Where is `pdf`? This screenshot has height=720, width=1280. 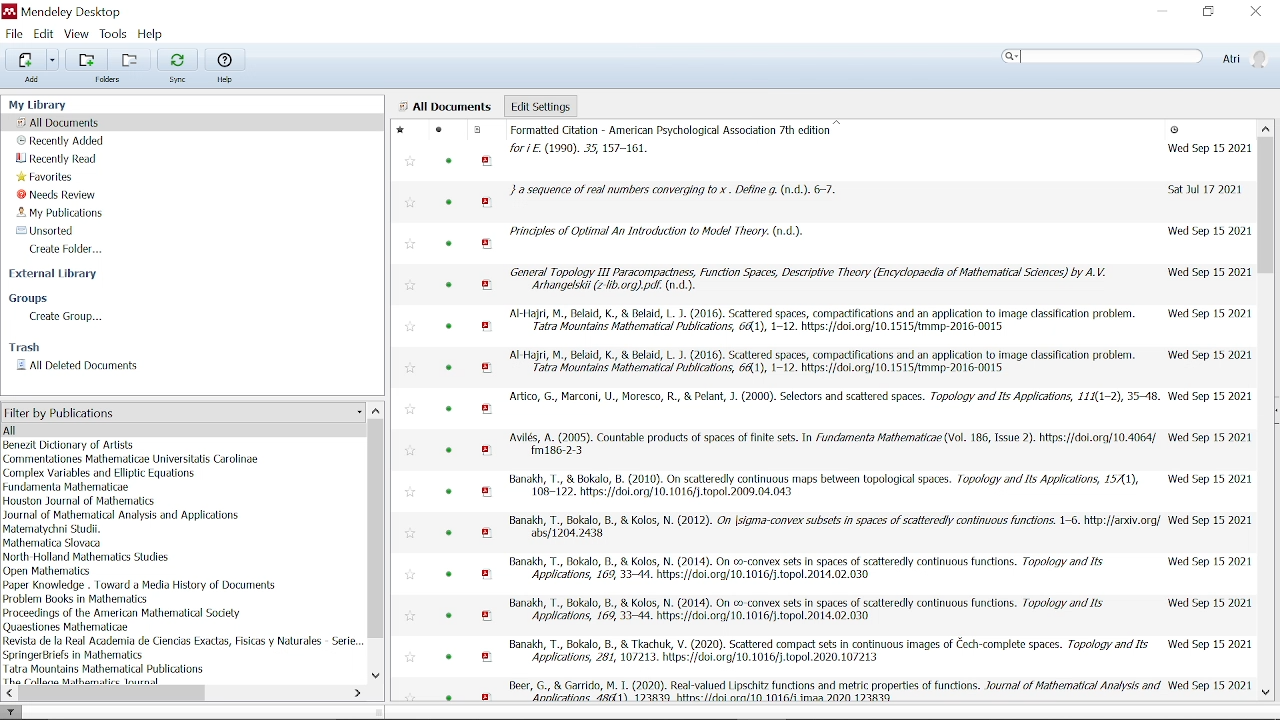 pdf is located at coordinates (488, 369).